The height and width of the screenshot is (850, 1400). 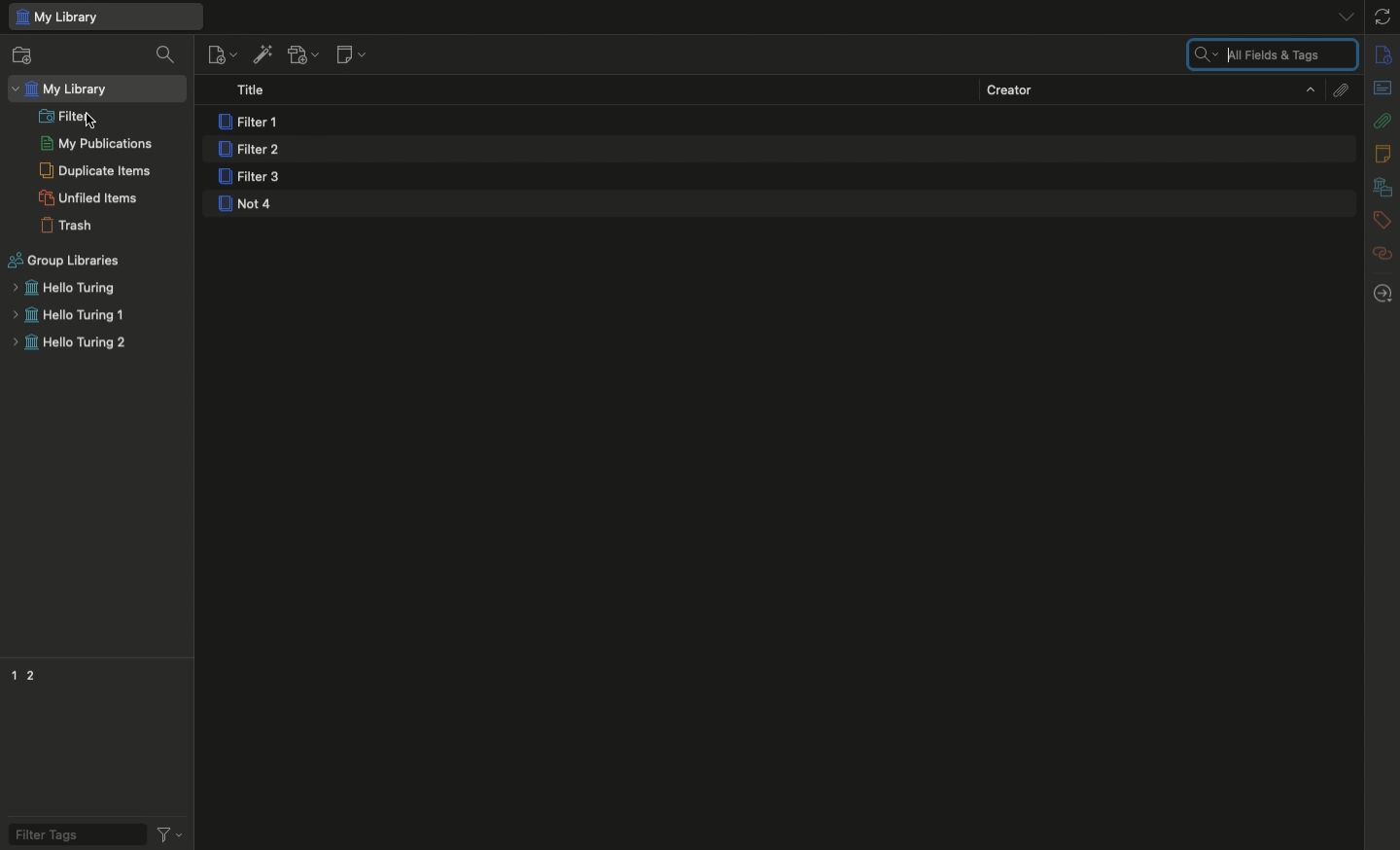 What do you see at coordinates (1382, 189) in the screenshot?
I see `Libraries and collections` at bounding box center [1382, 189].